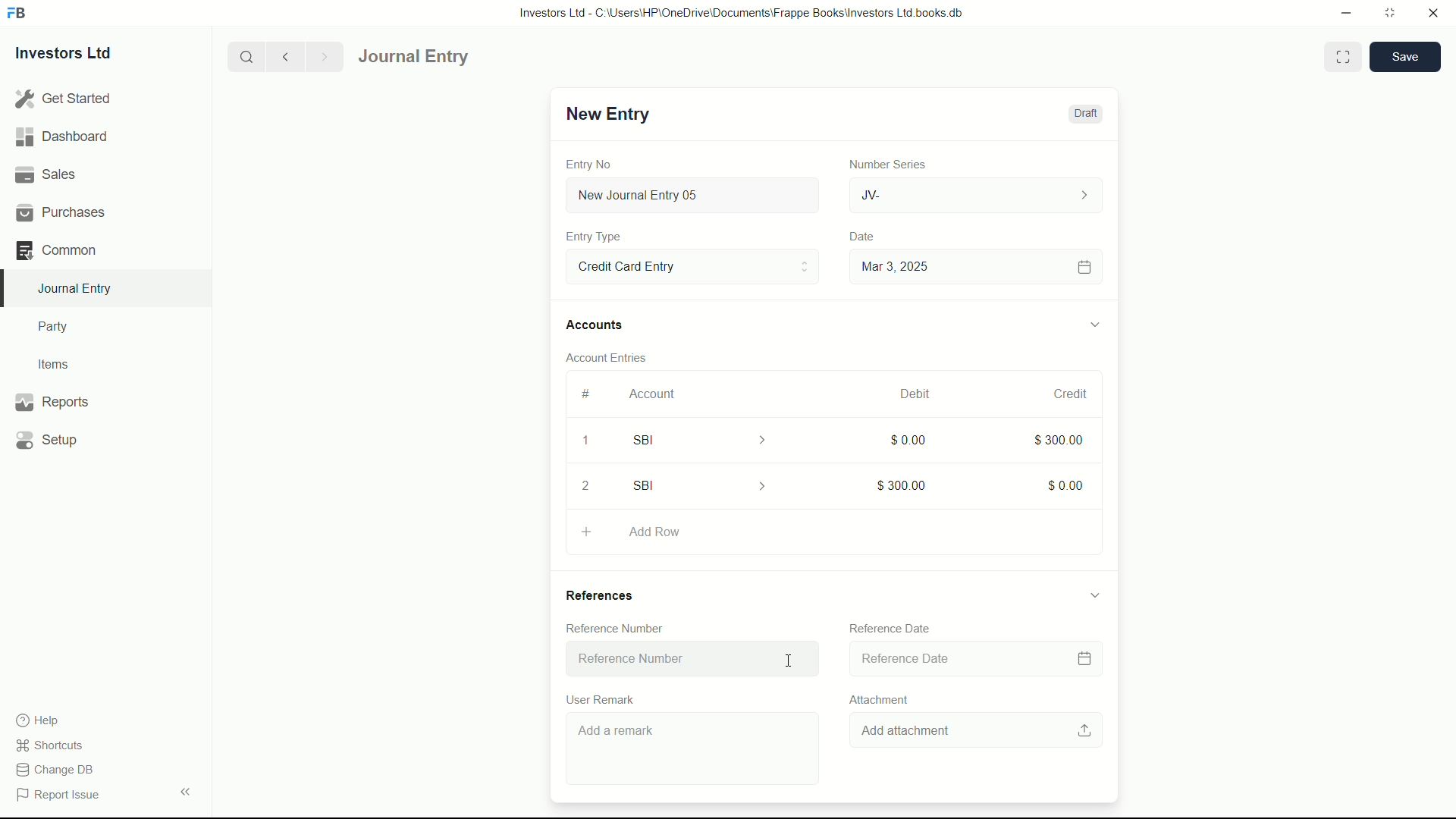 This screenshot has width=1456, height=819. What do you see at coordinates (457, 57) in the screenshot?
I see `Journal entry` at bounding box center [457, 57].